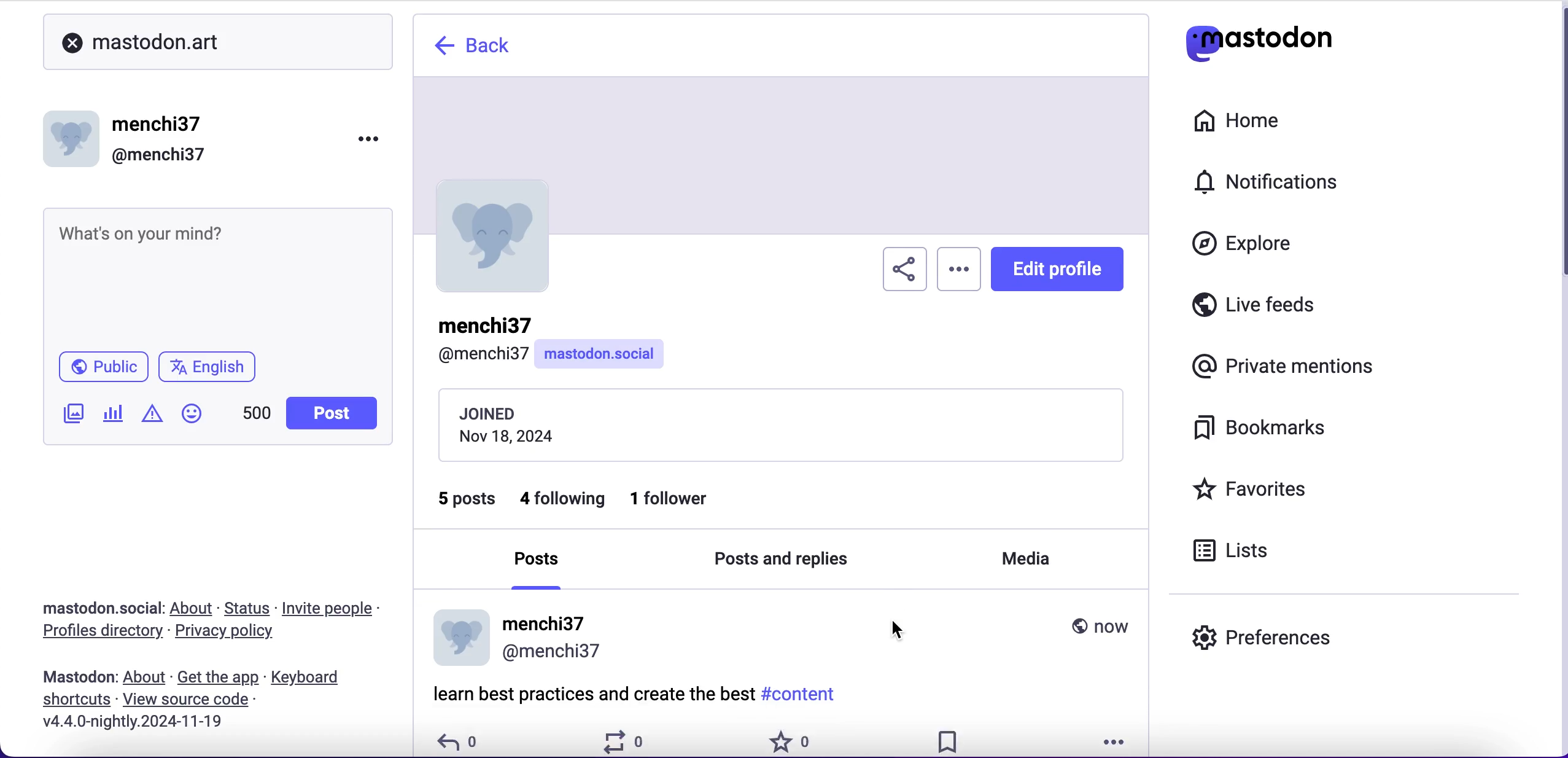  Describe the element at coordinates (71, 415) in the screenshot. I see `add image` at that location.